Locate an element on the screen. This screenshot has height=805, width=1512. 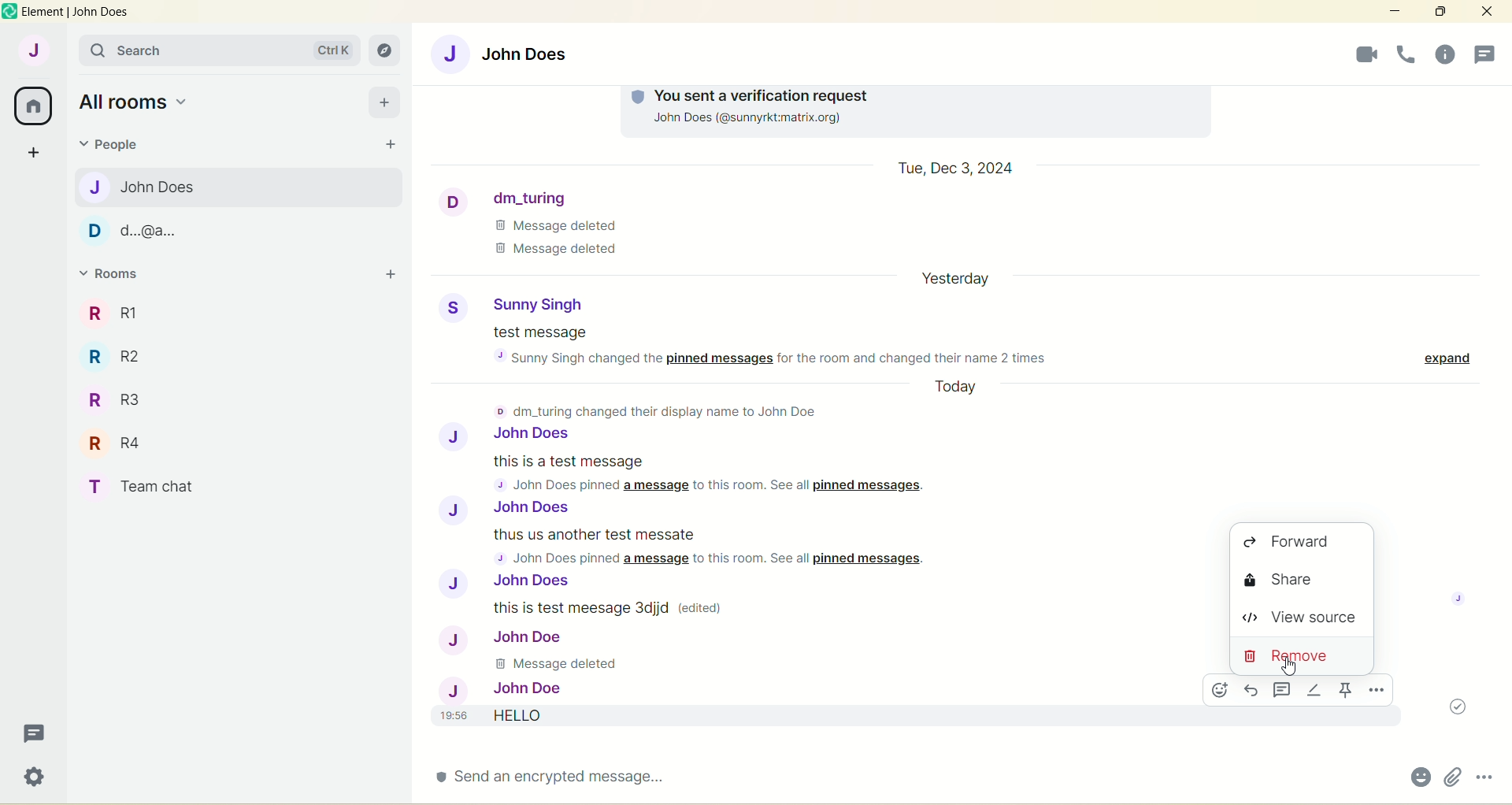
dm_turing is located at coordinates (512, 198).